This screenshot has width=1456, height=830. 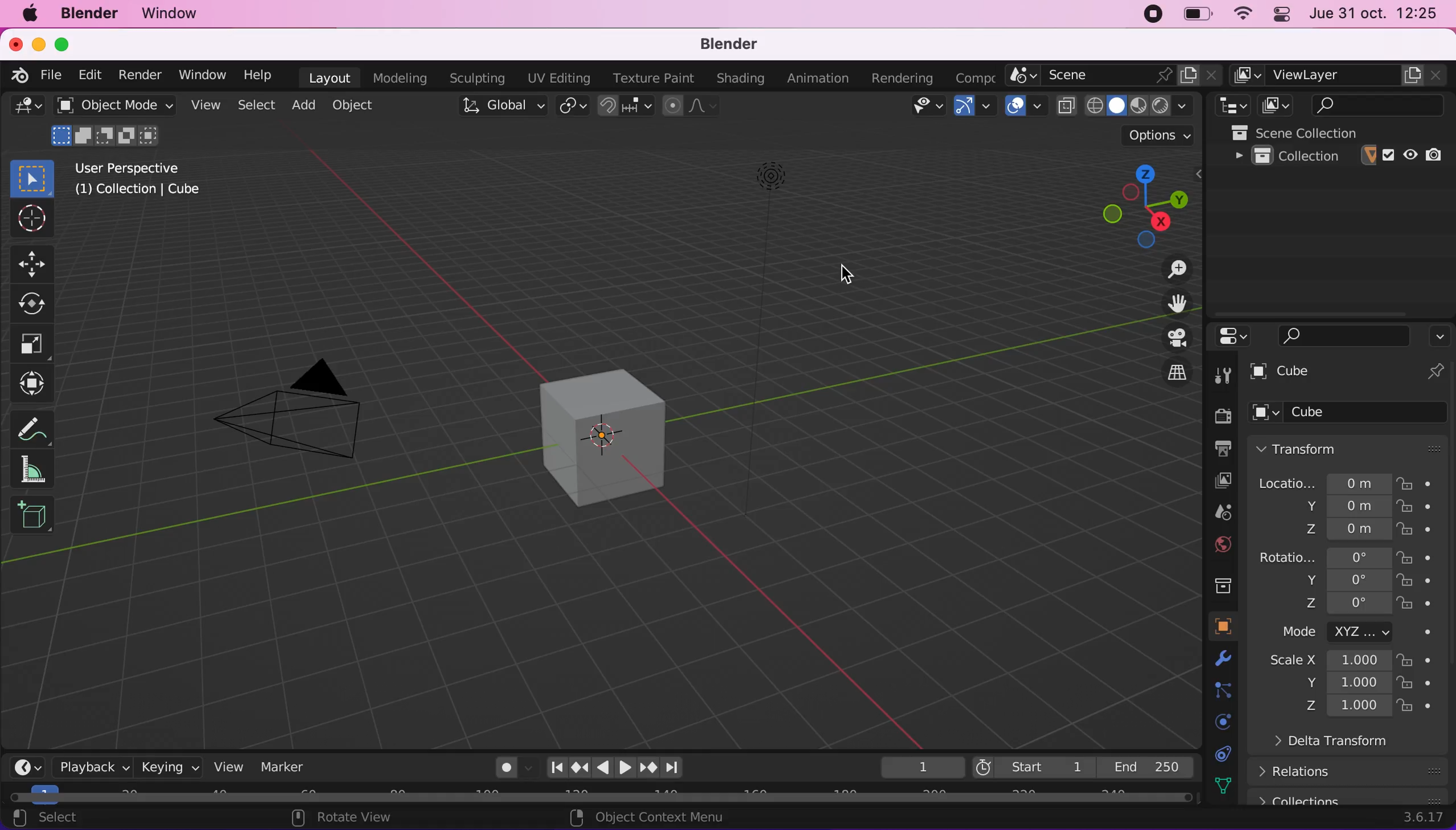 What do you see at coordinates (1369, 104) in the screenshot?
I see `search` at bounding box center [1369, 104].